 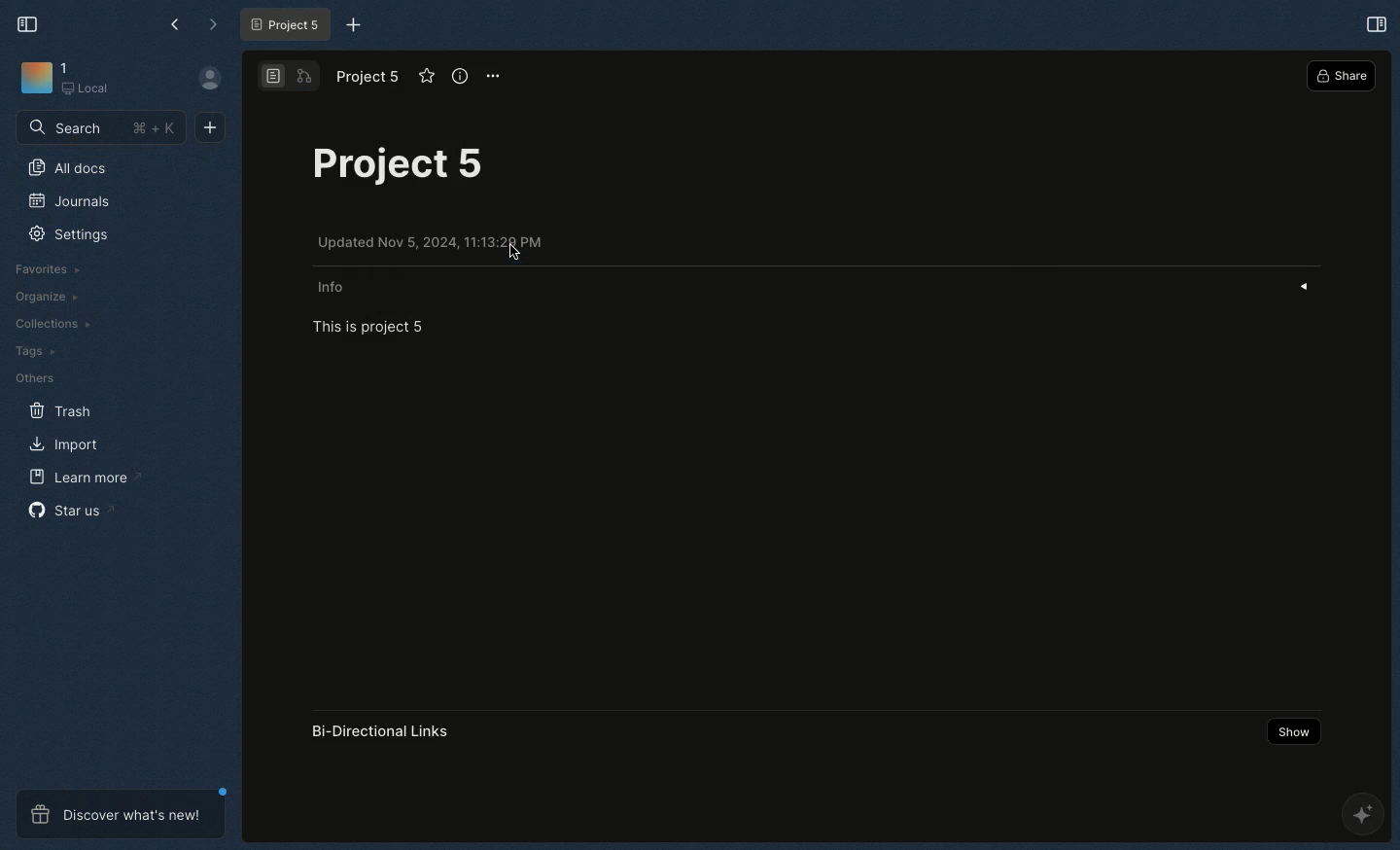 I want to click on Info, so click(x=816, y=285).